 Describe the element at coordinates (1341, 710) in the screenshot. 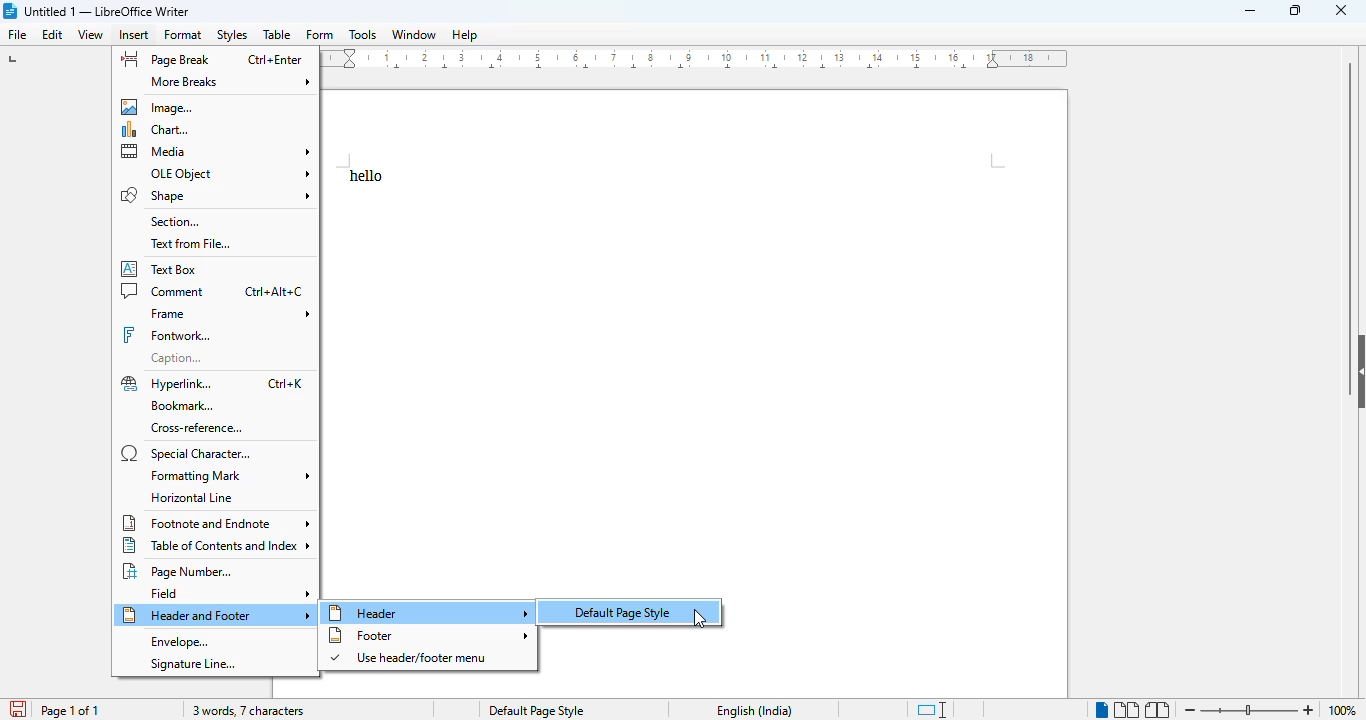

I see `100%` at that location.